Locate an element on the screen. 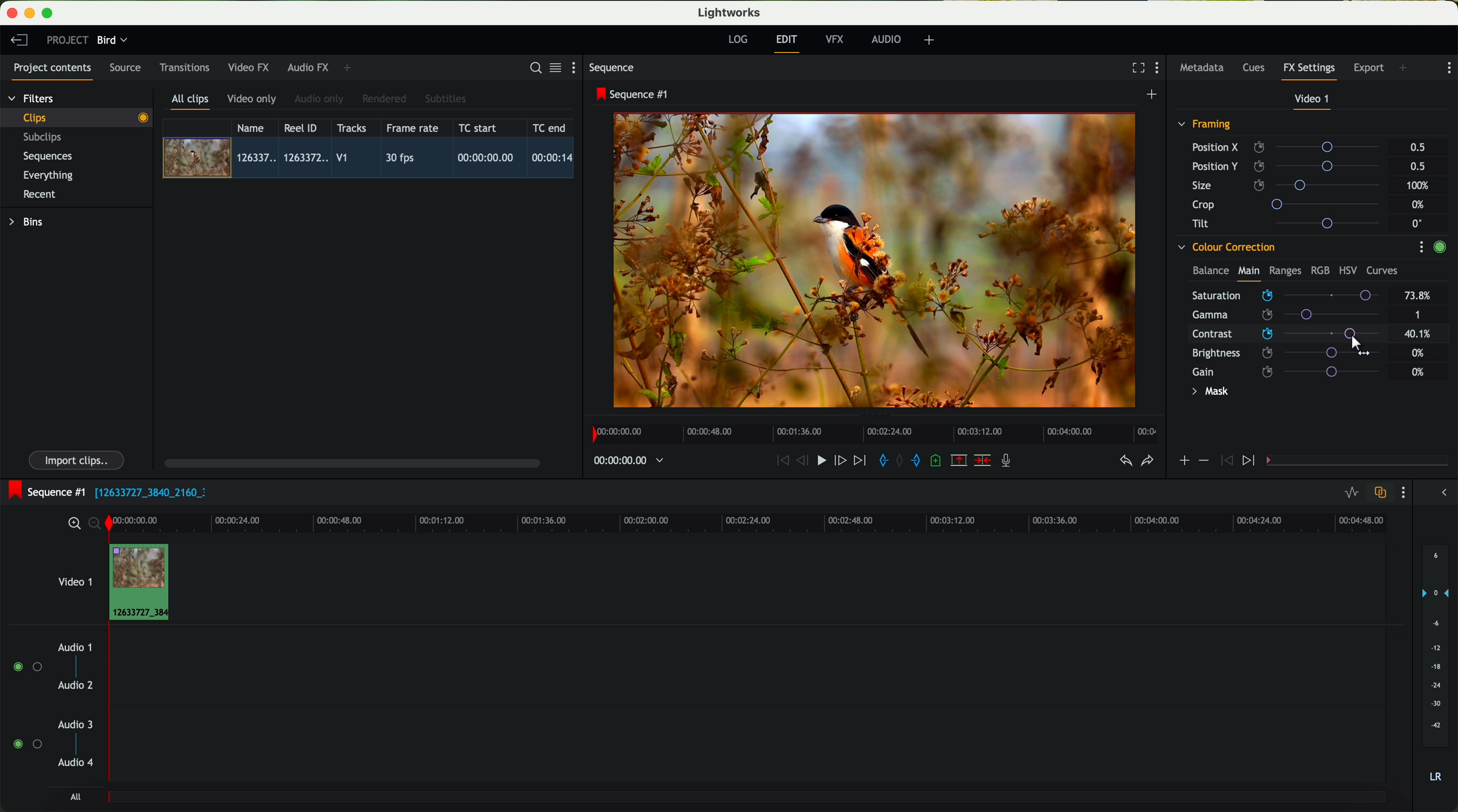  transitions is located at coordinates (184, 67).